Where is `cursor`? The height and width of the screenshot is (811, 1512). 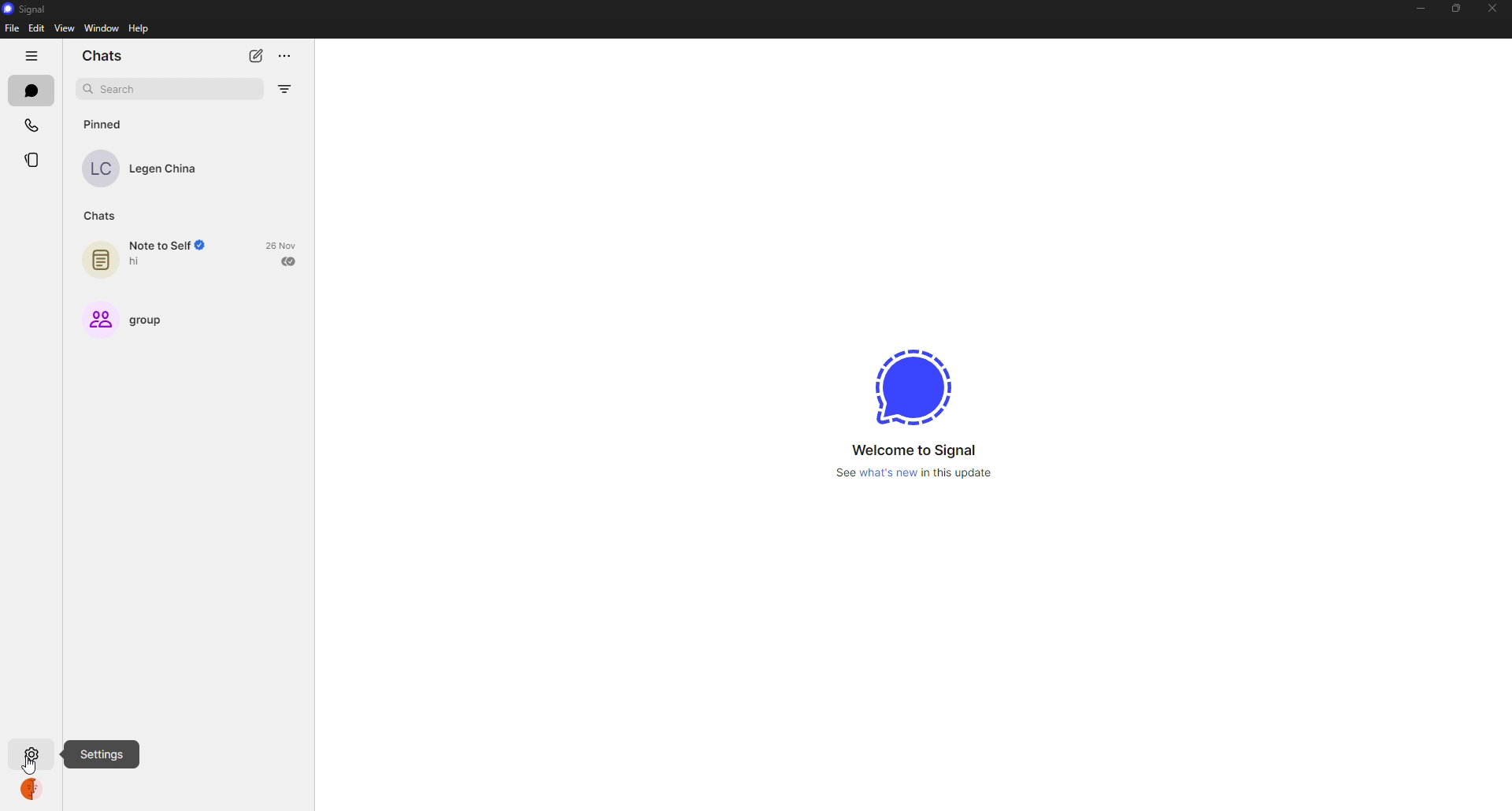
cursor is located at coordinates (30, 766).